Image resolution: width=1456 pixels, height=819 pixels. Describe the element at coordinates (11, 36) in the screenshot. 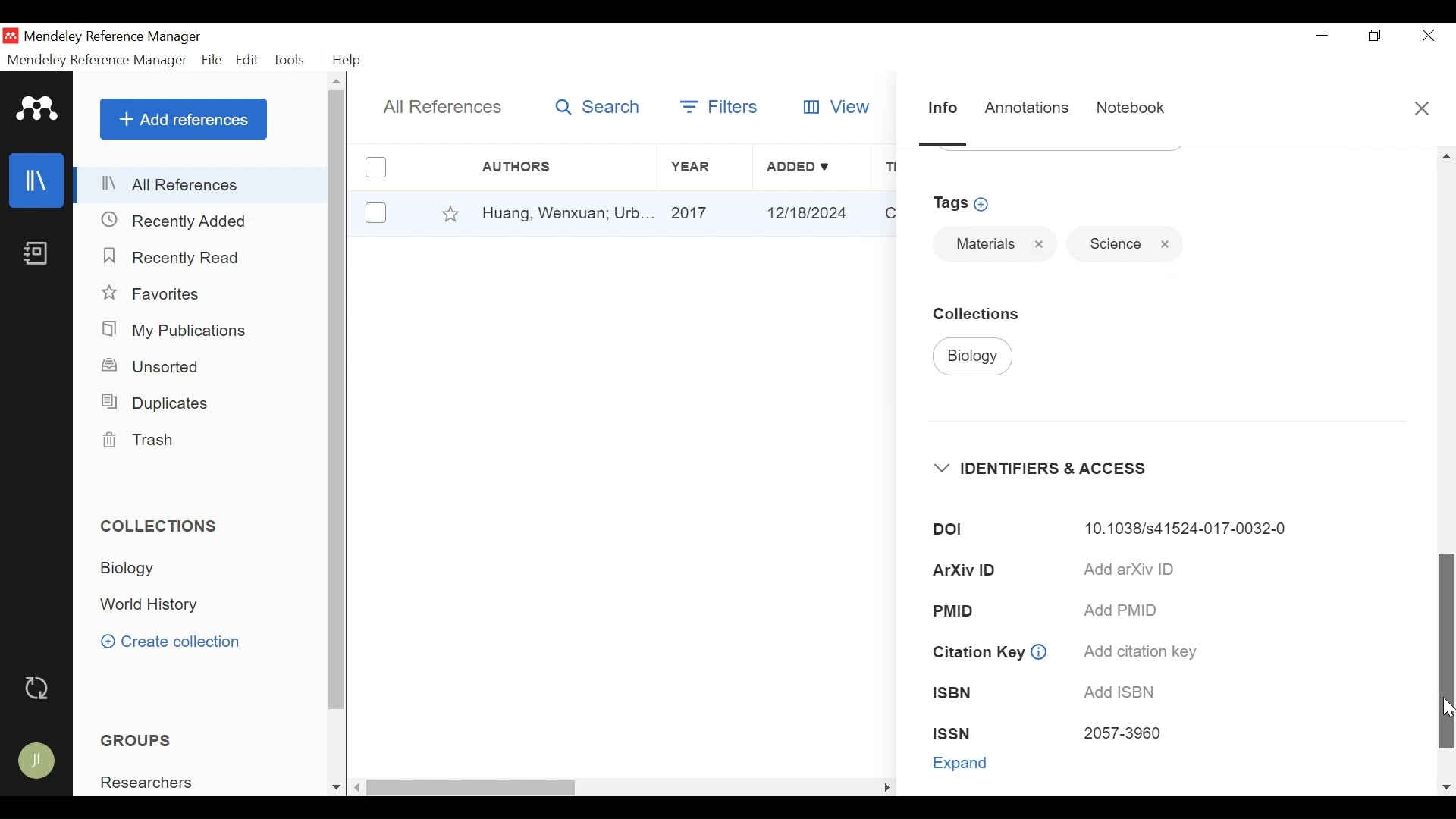

I see `Mendeley Desktop Icon` at that location.